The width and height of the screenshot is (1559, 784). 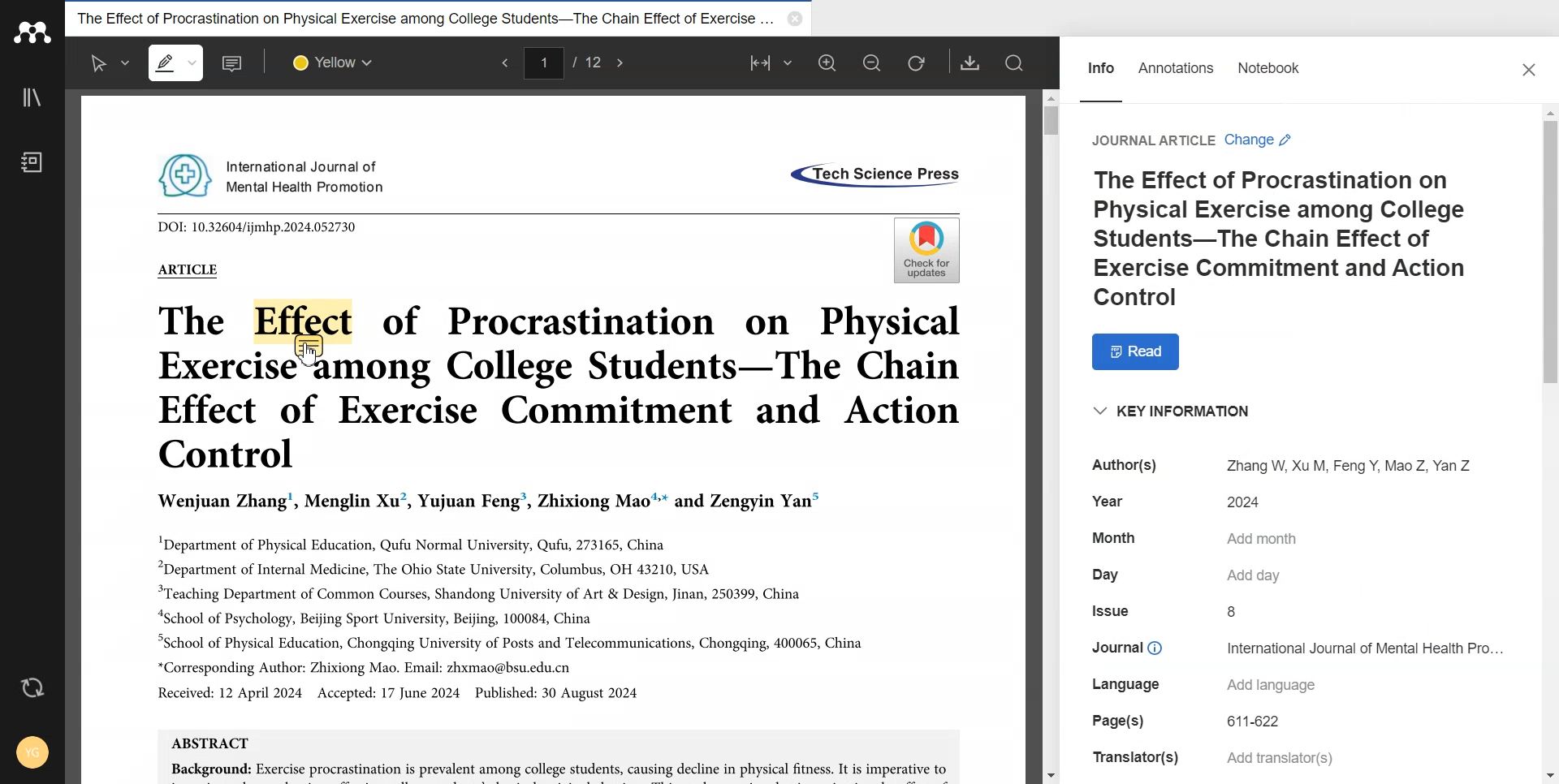 I want to click on Select text, so click(x=110, y=63).